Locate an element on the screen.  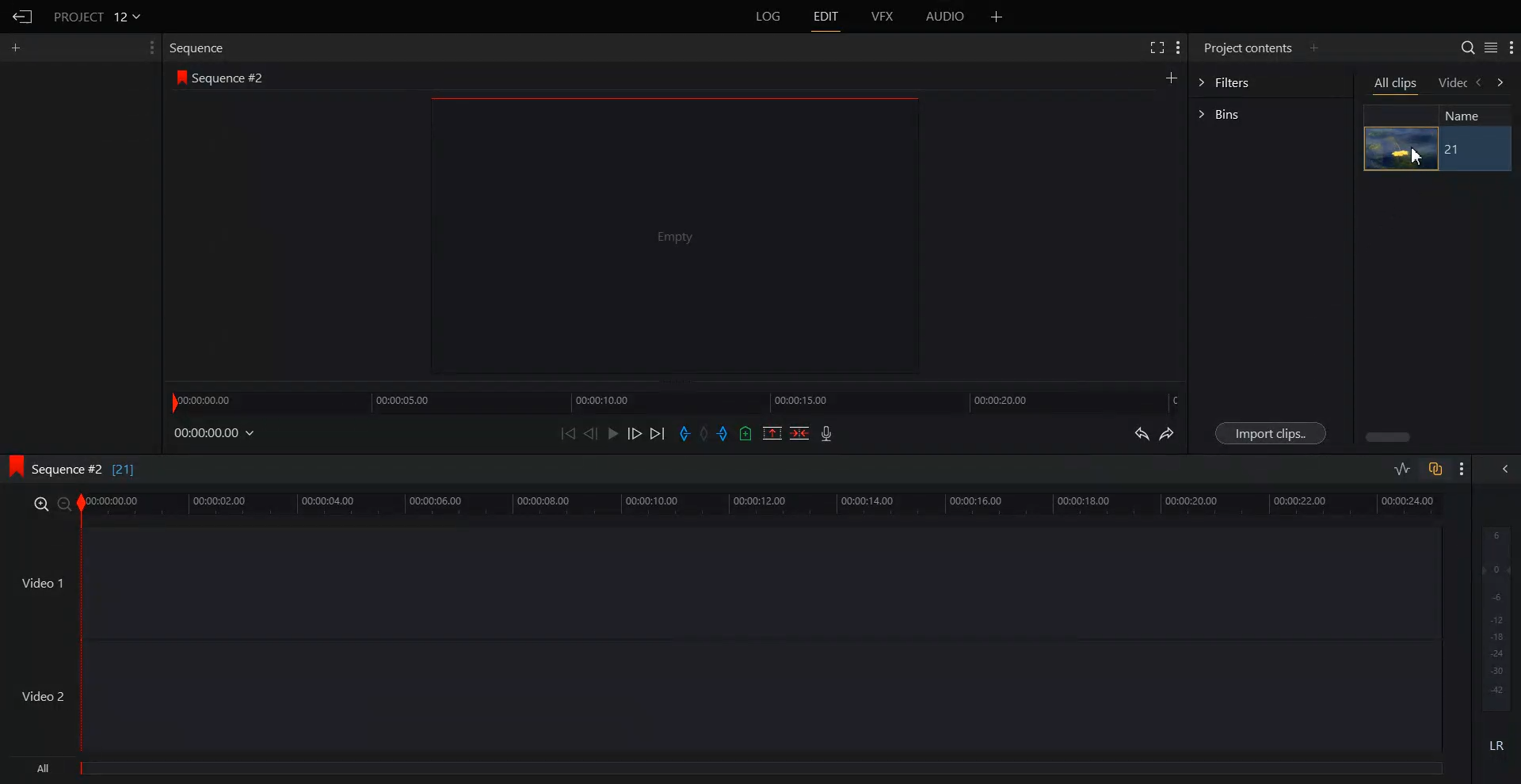
LR is located at coordinates (1497, 742).